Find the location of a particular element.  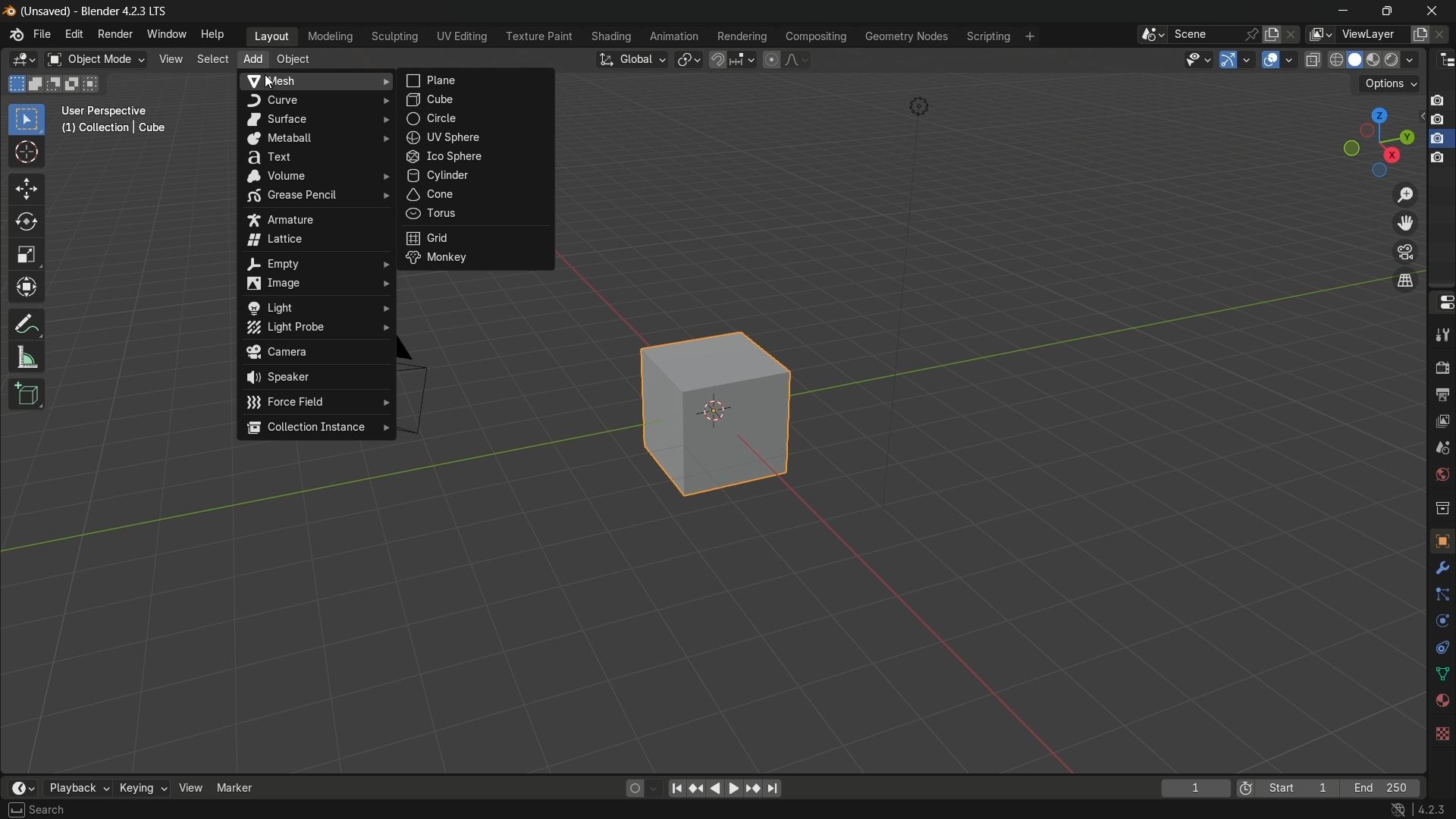

select is located at coordinates (26, 121).